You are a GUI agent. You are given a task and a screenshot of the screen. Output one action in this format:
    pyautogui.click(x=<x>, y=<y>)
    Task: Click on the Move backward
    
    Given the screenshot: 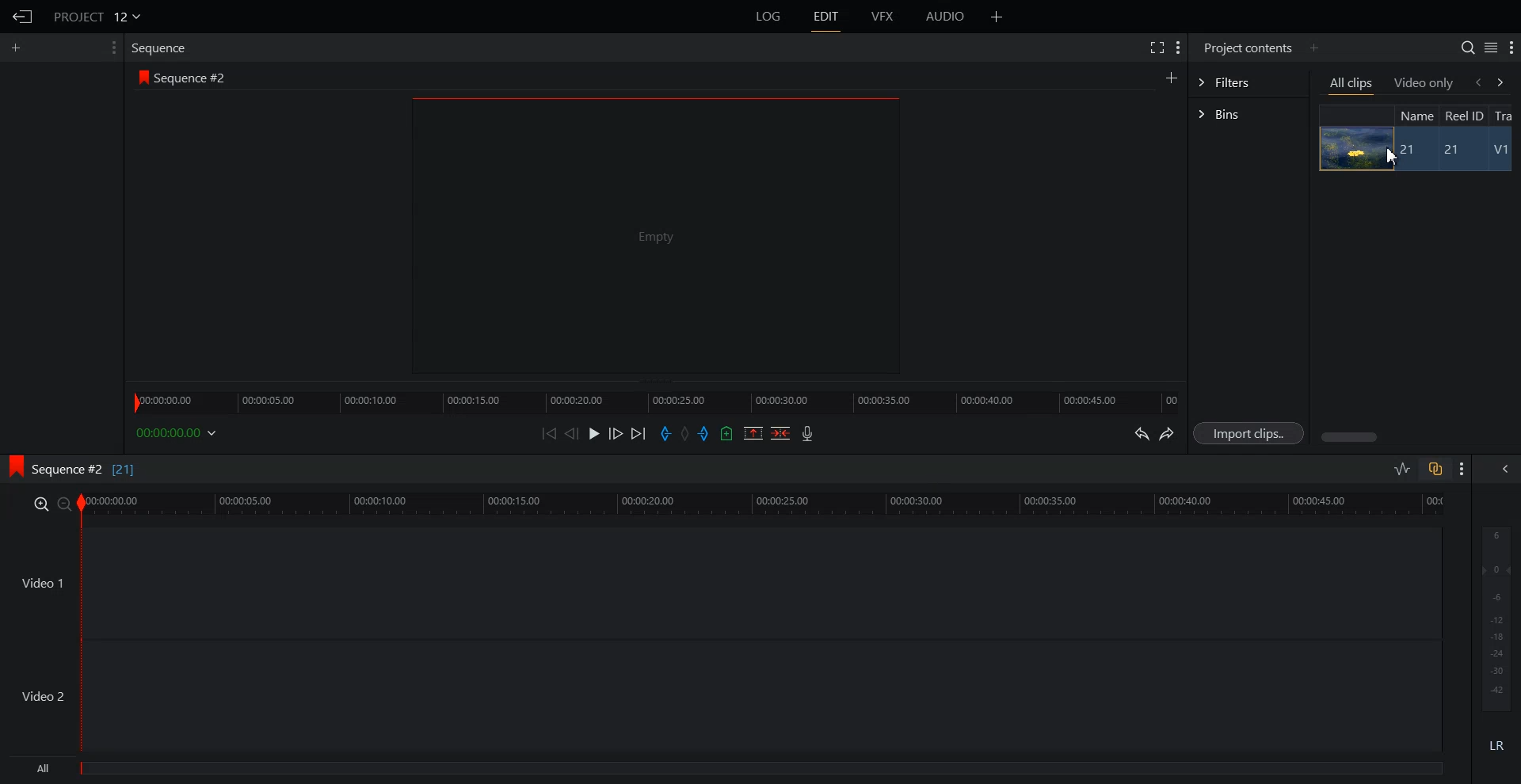 What is the action you would take?
    pyautogui.click(x=551, y=433)
    